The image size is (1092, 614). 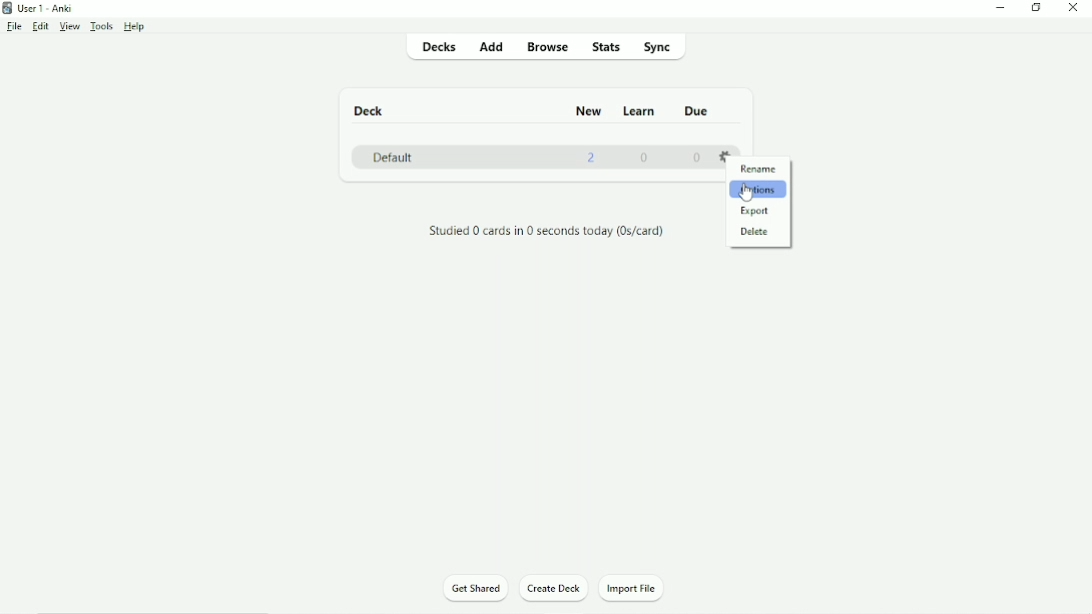 What do you see at coordinates (646, 157) in the screenshot?
I see `0` at bounding box center [646, 157].